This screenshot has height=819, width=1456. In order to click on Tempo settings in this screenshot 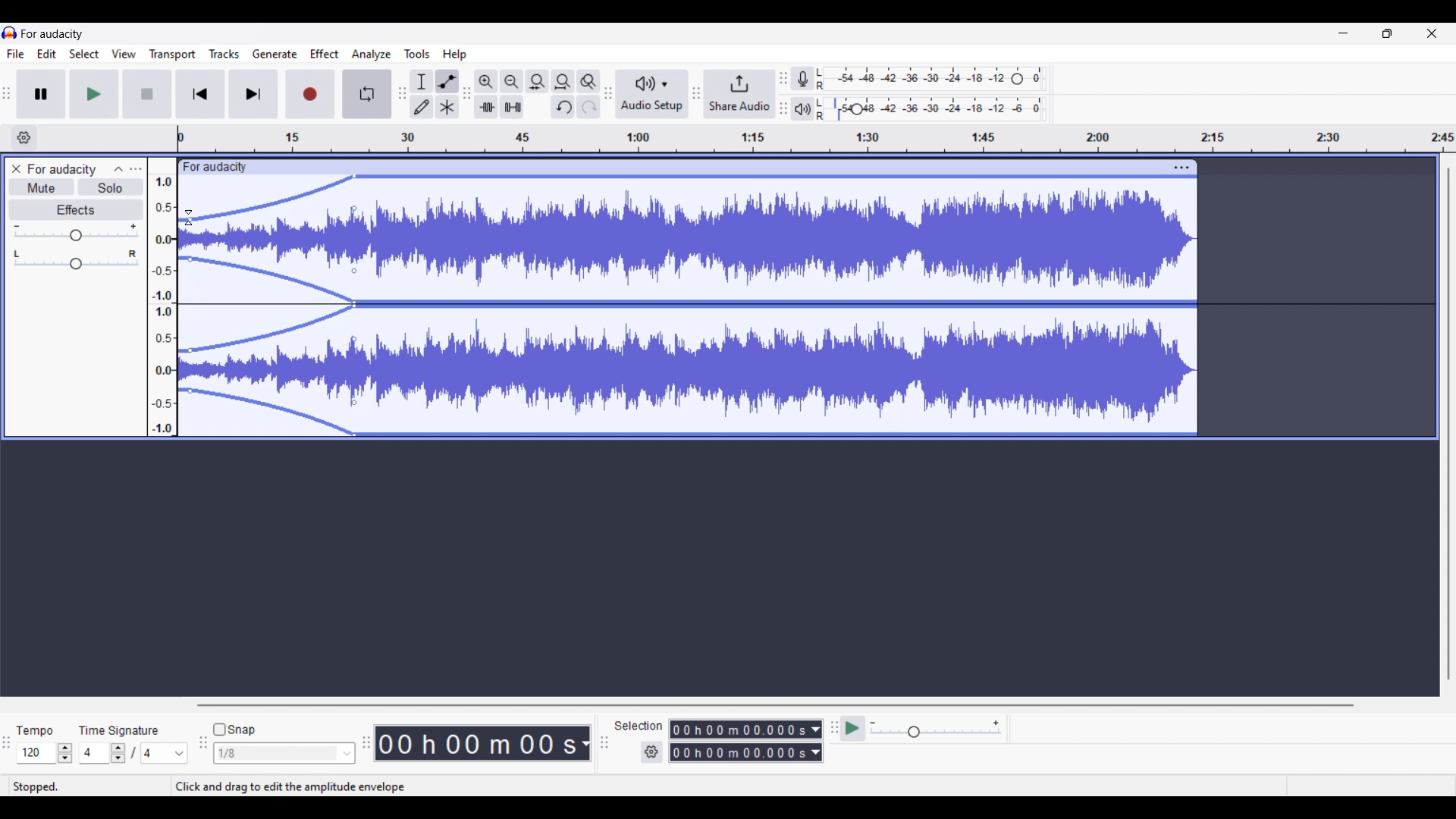, I will do `click(45, 753)`.